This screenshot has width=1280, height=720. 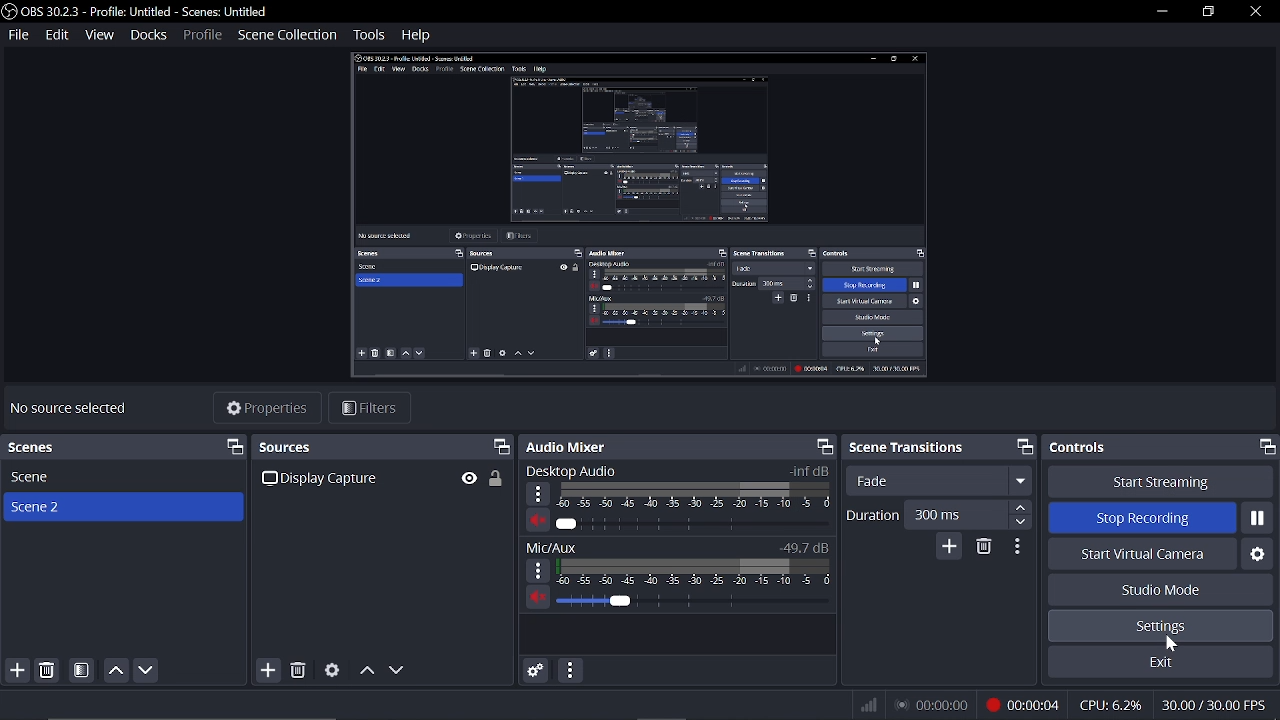 I want to click on add scene filter, so click(x=82, y=671).